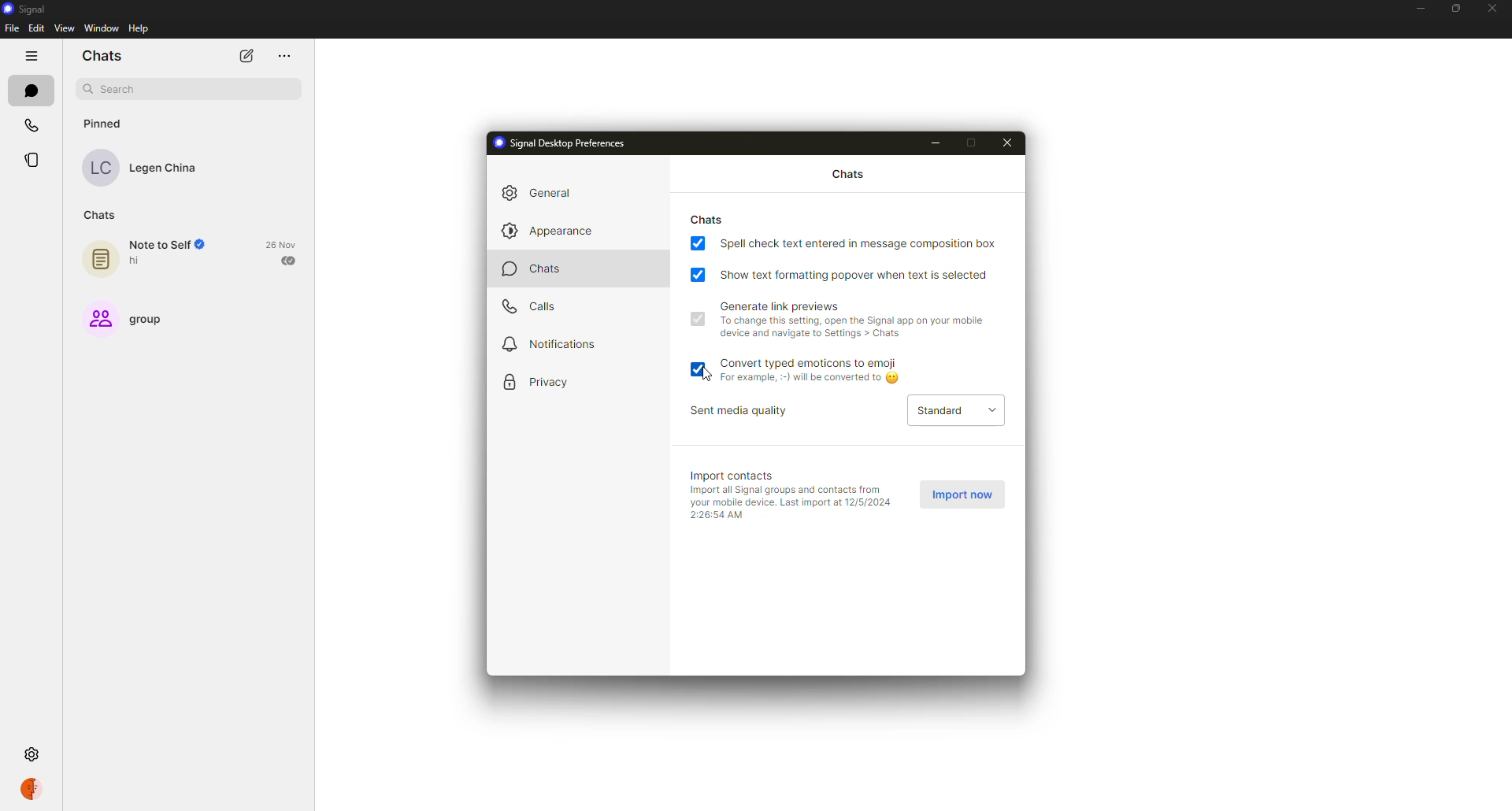 This screenshot has height=811, width=1512. I want to click on chats, so click(707, 220).